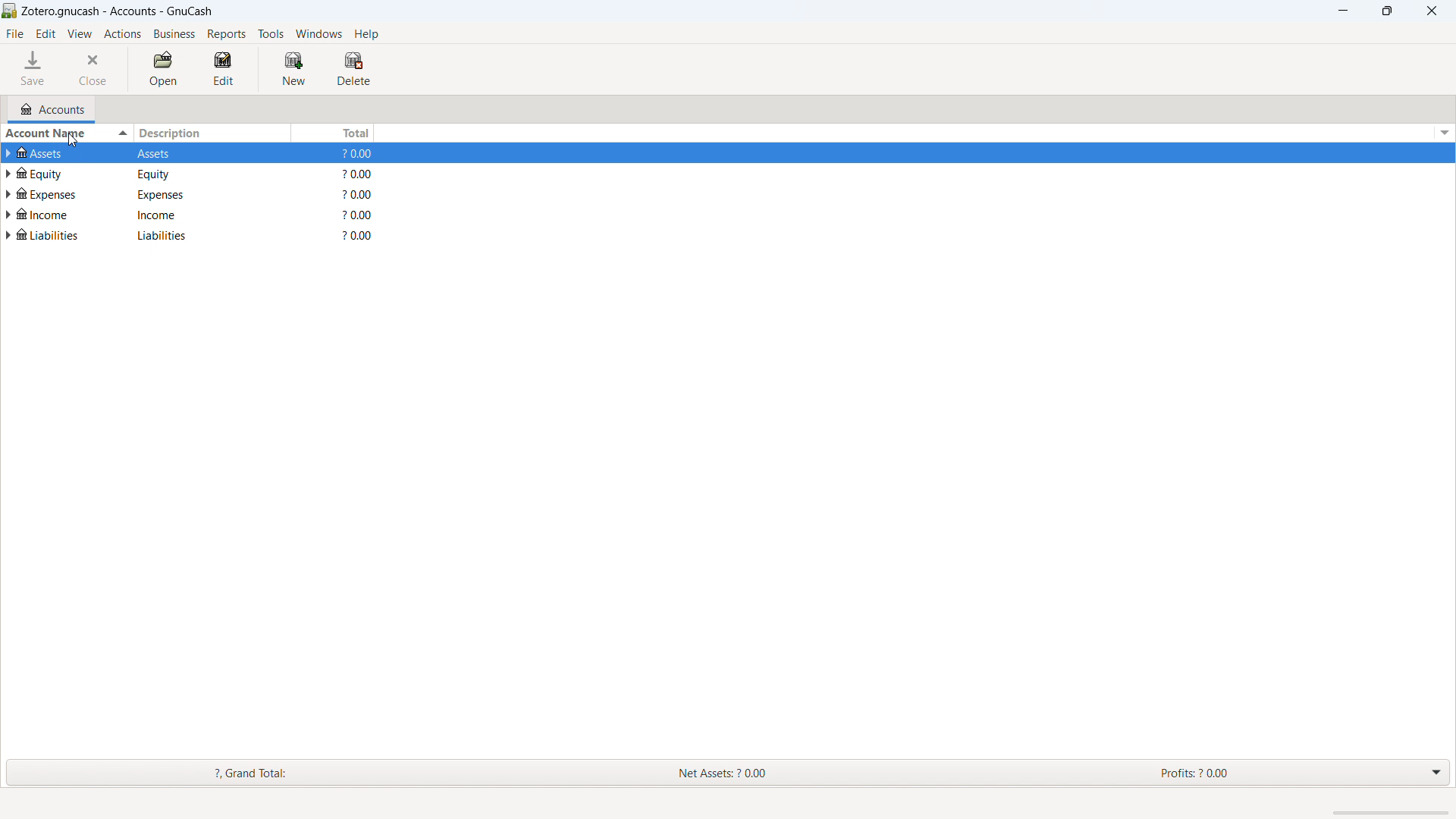 The image size is (1456, 819). What do you see at coordinates (208, 152) in the screenshot?
I see `account details of assets` at bounding box center [208, 152].